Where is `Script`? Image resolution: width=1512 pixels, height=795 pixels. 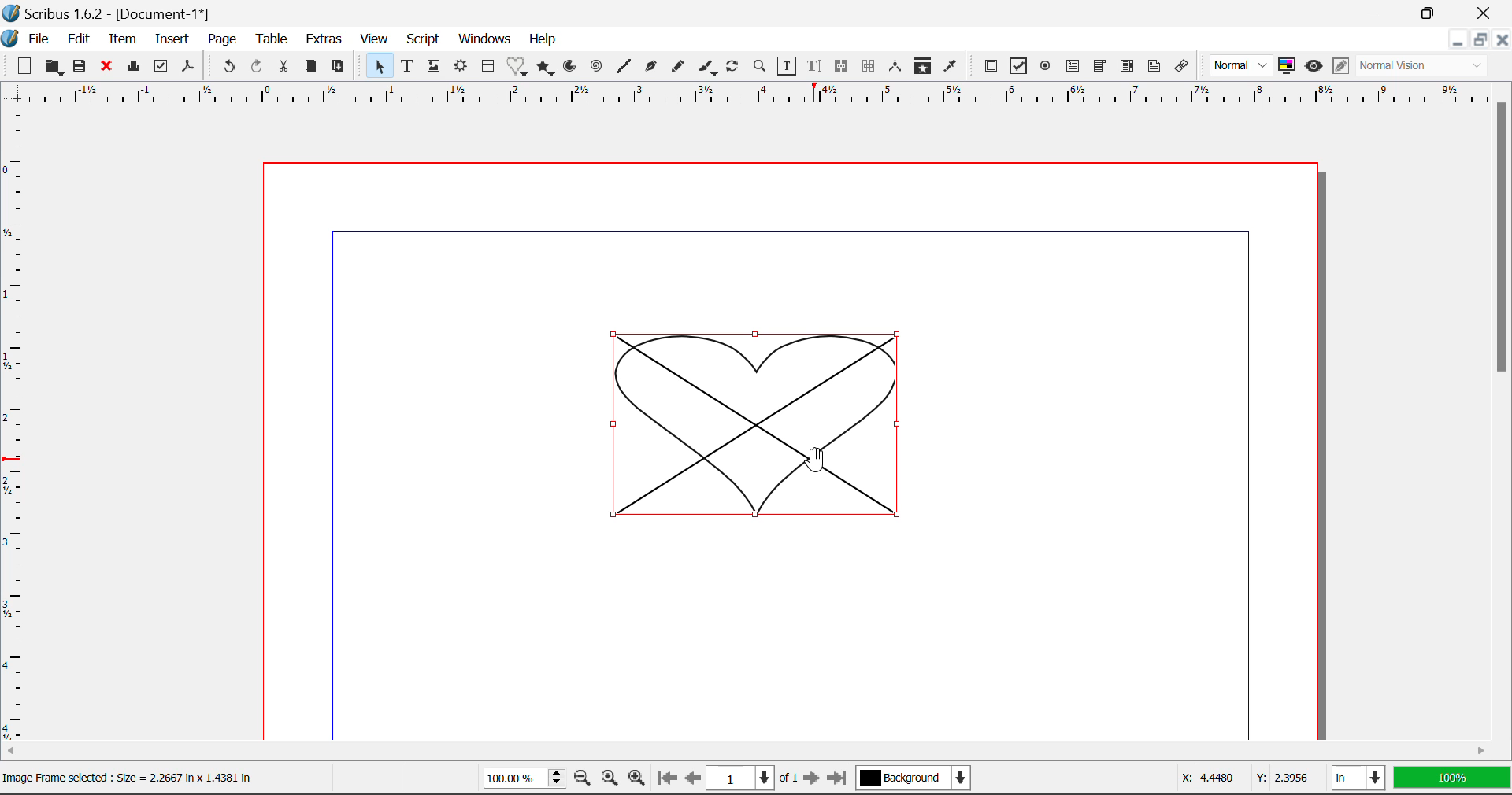 Script is located at coordinates (422, 41).